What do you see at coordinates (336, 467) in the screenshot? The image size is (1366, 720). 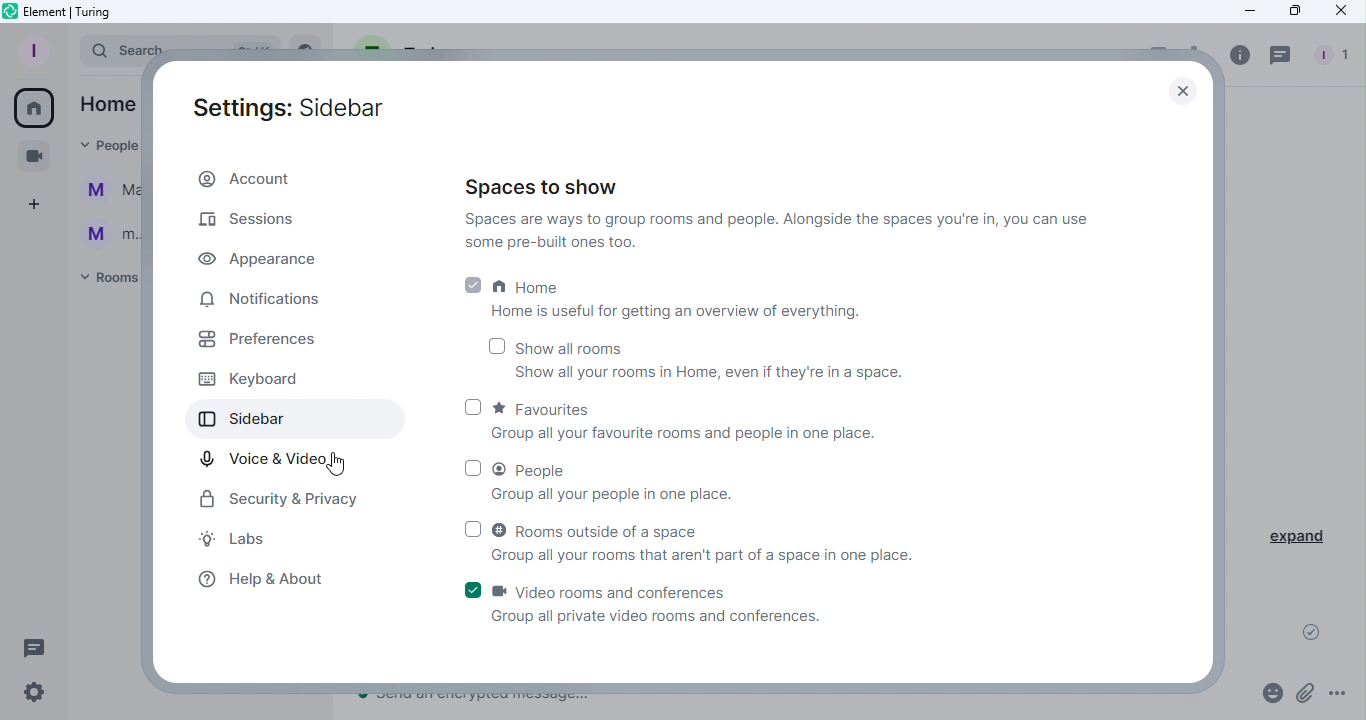 I see `Cursor` at bounding box center [336, 467].